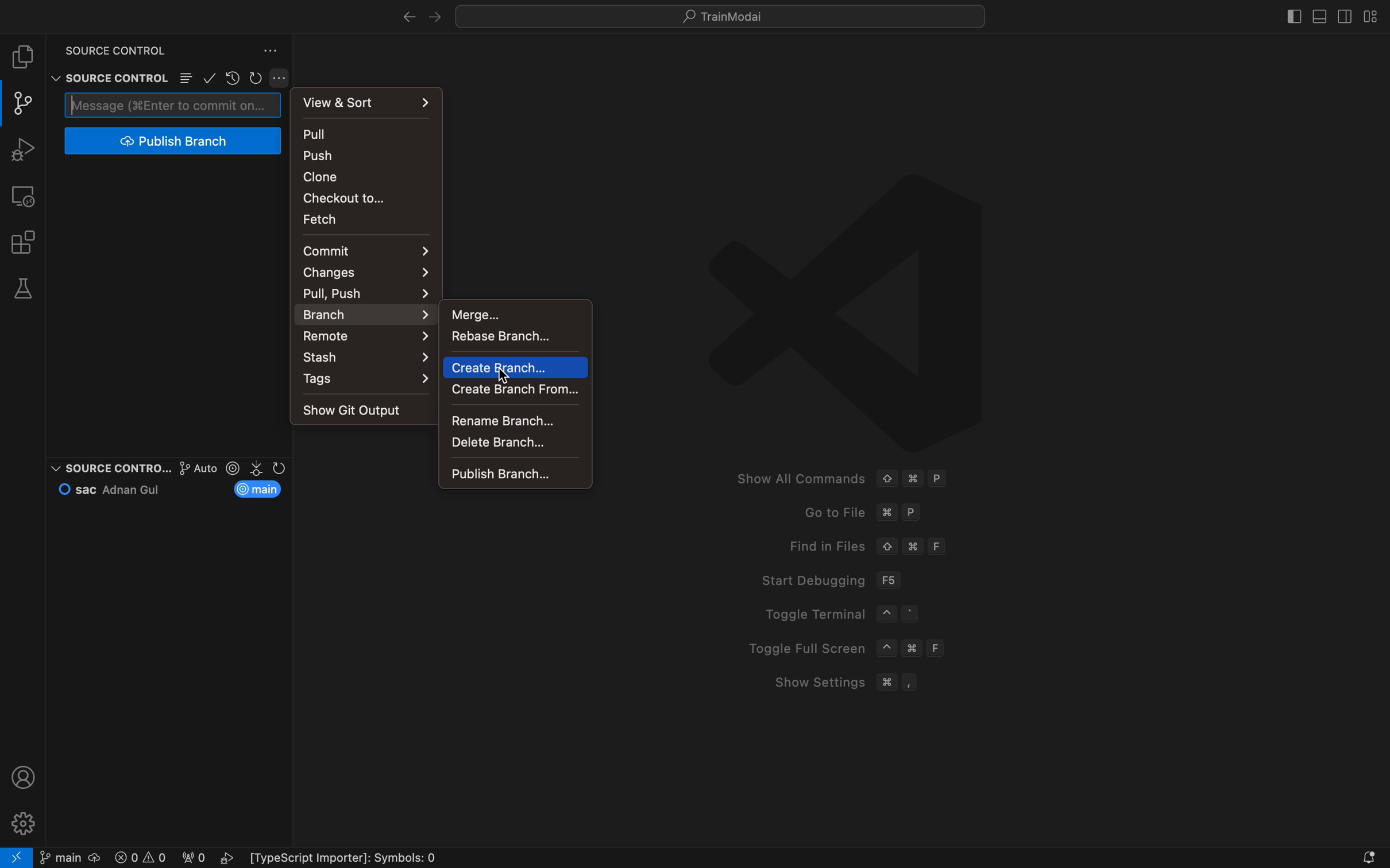 This screenshot has height=868, width=1390. I want to click on error logs, so click(282, 858).